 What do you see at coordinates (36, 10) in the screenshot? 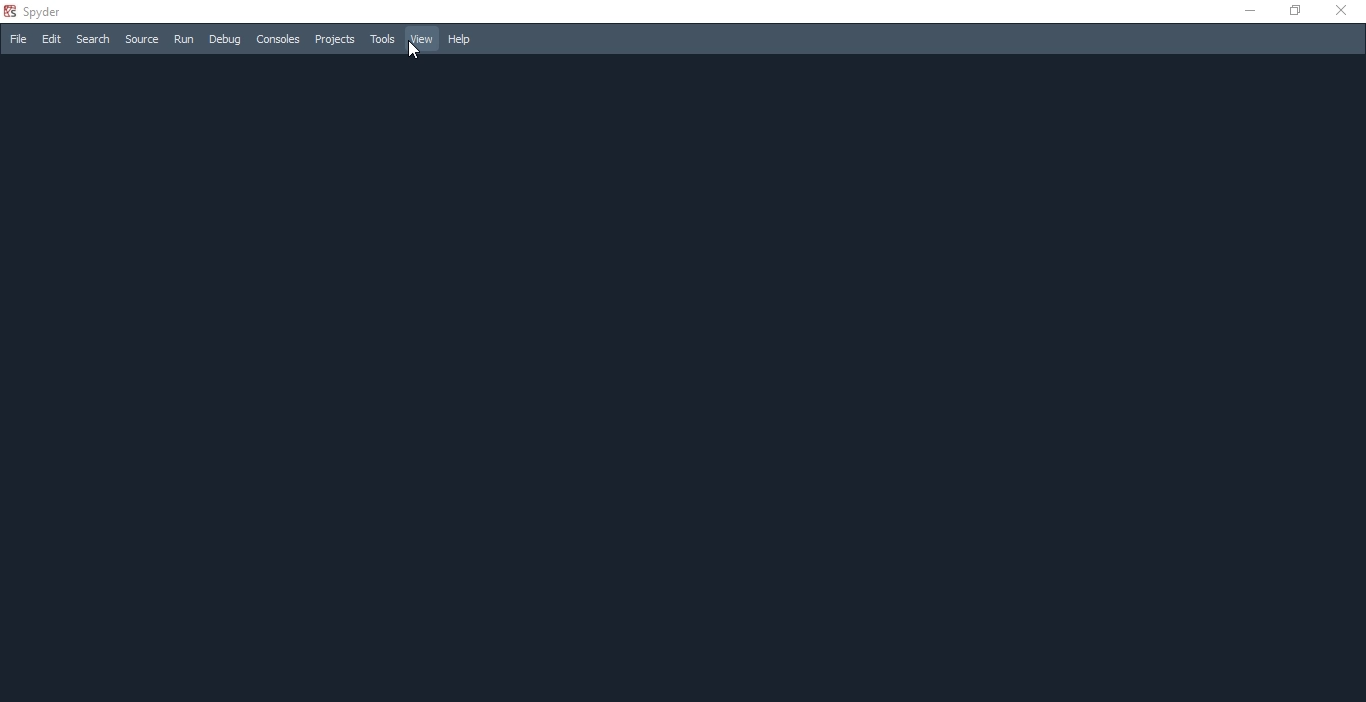
I see `spyder Desktop icon` at bounding box center [36, 10].